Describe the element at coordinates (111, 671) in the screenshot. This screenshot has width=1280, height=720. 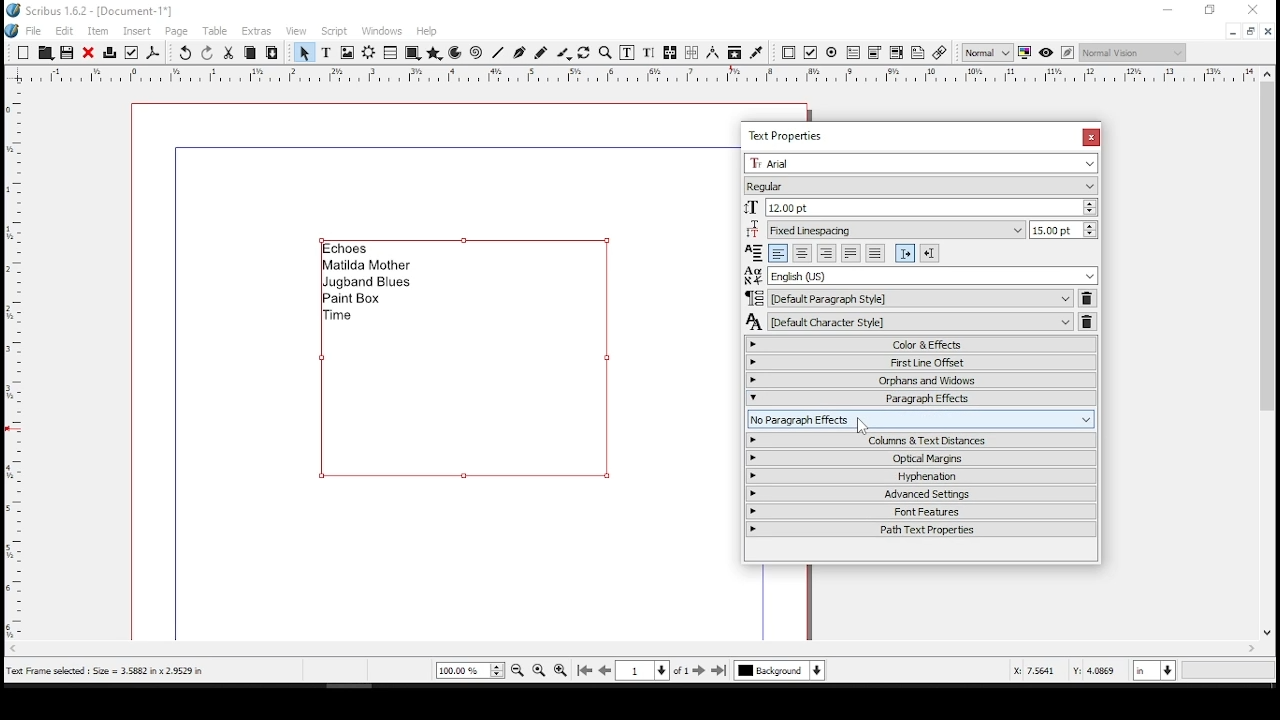
I see `text frame selected: size = 3.5882 x 2.9529 in` at that location.